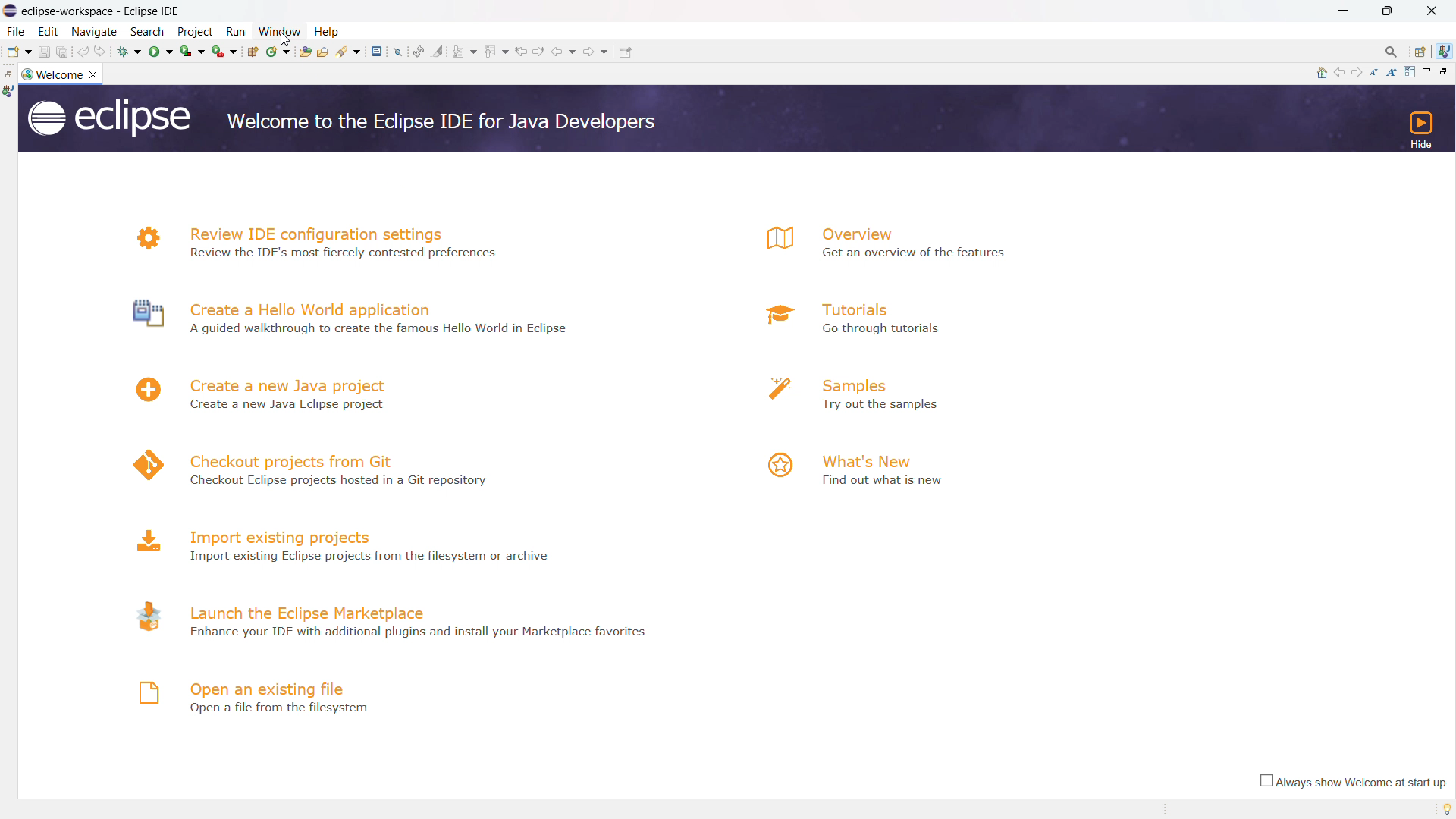 Image resolution: width=1456 pixels, height=819 pixels. Describe the element at coordinates (874, 457) in the screenshot. I see `what's new` at that location.